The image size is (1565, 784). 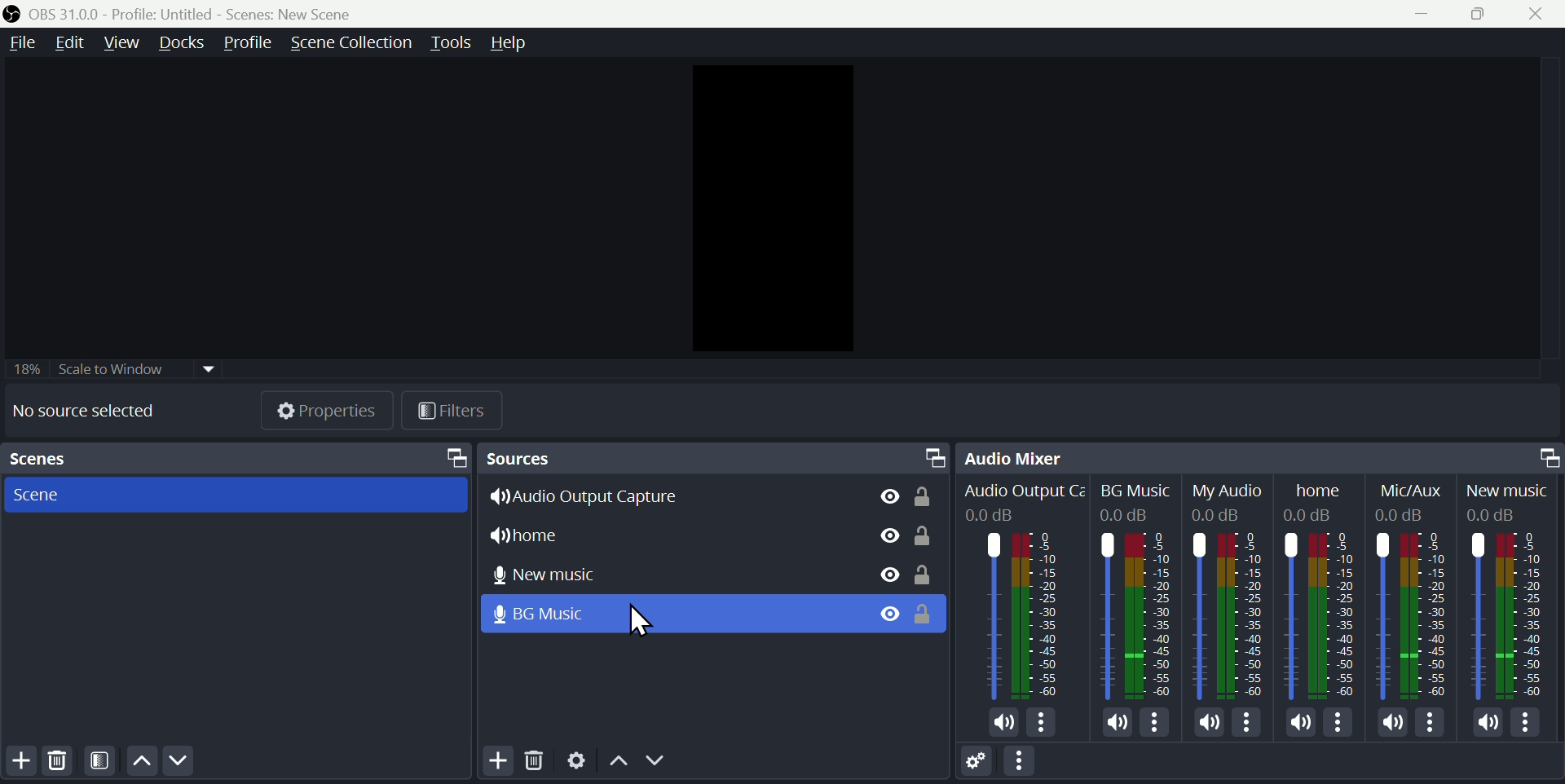 What do you see at coordinates (1325, 588) in the screenshot?
I see `Home` at bounding box center [1325, 588].